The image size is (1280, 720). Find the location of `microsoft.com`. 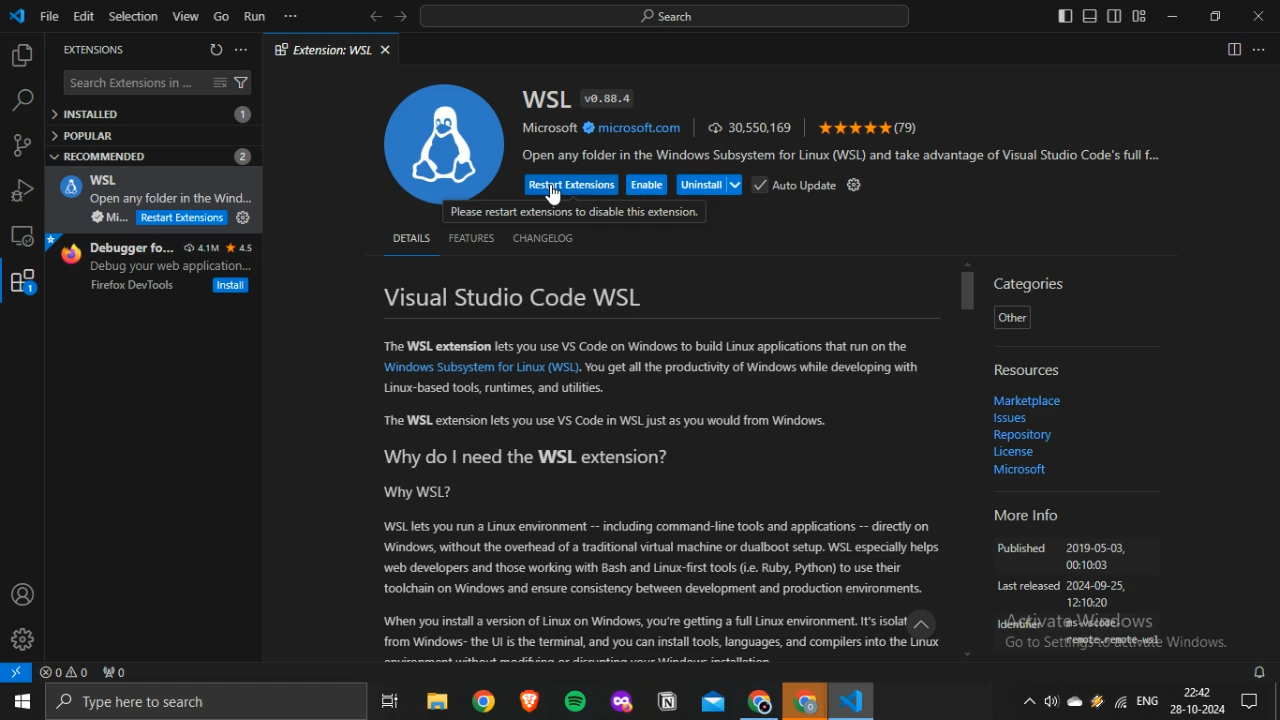

microsoft.com is located at coordinates (633, 128).